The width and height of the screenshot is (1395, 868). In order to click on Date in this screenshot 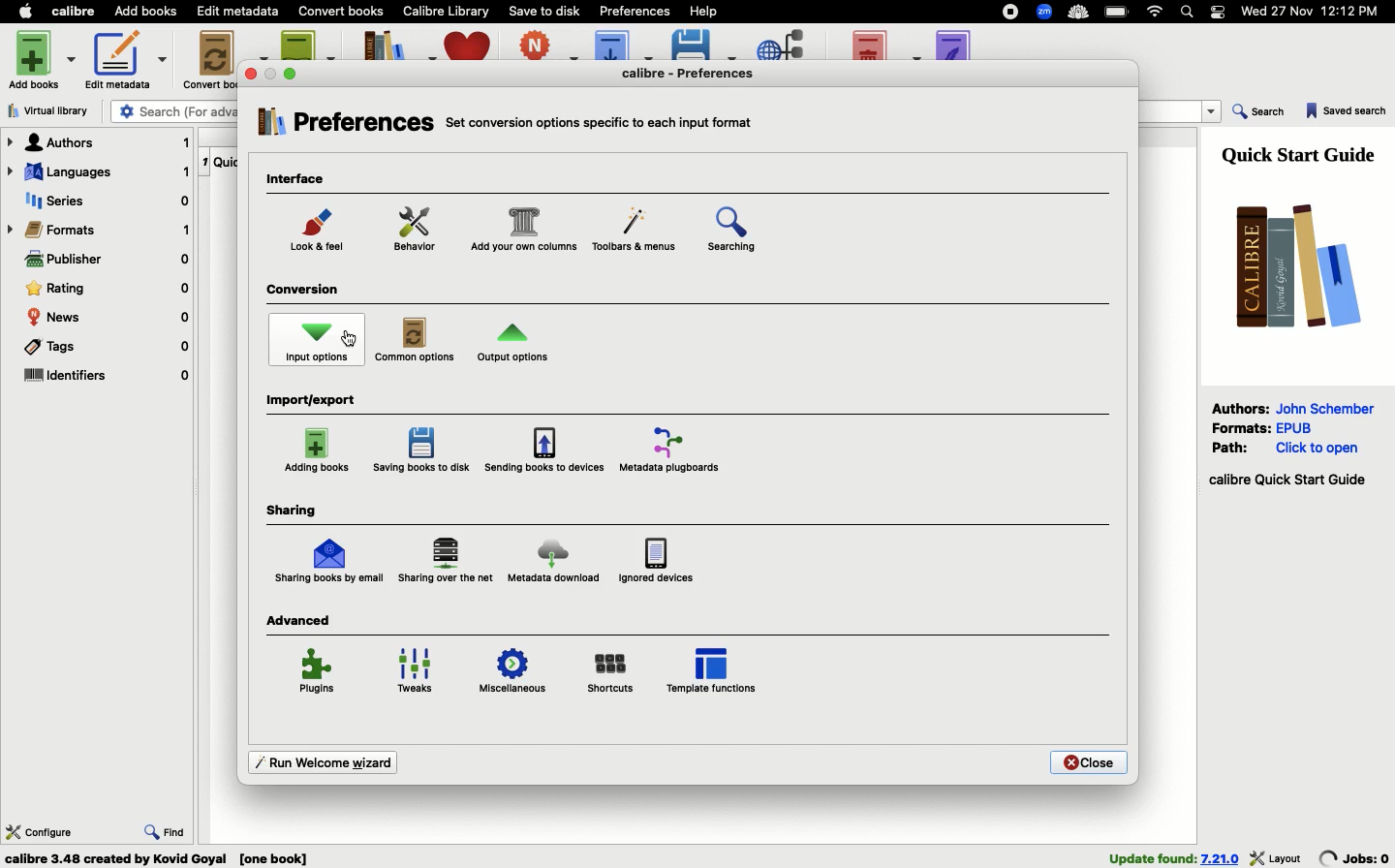, I will do `click(1317, 13)`.